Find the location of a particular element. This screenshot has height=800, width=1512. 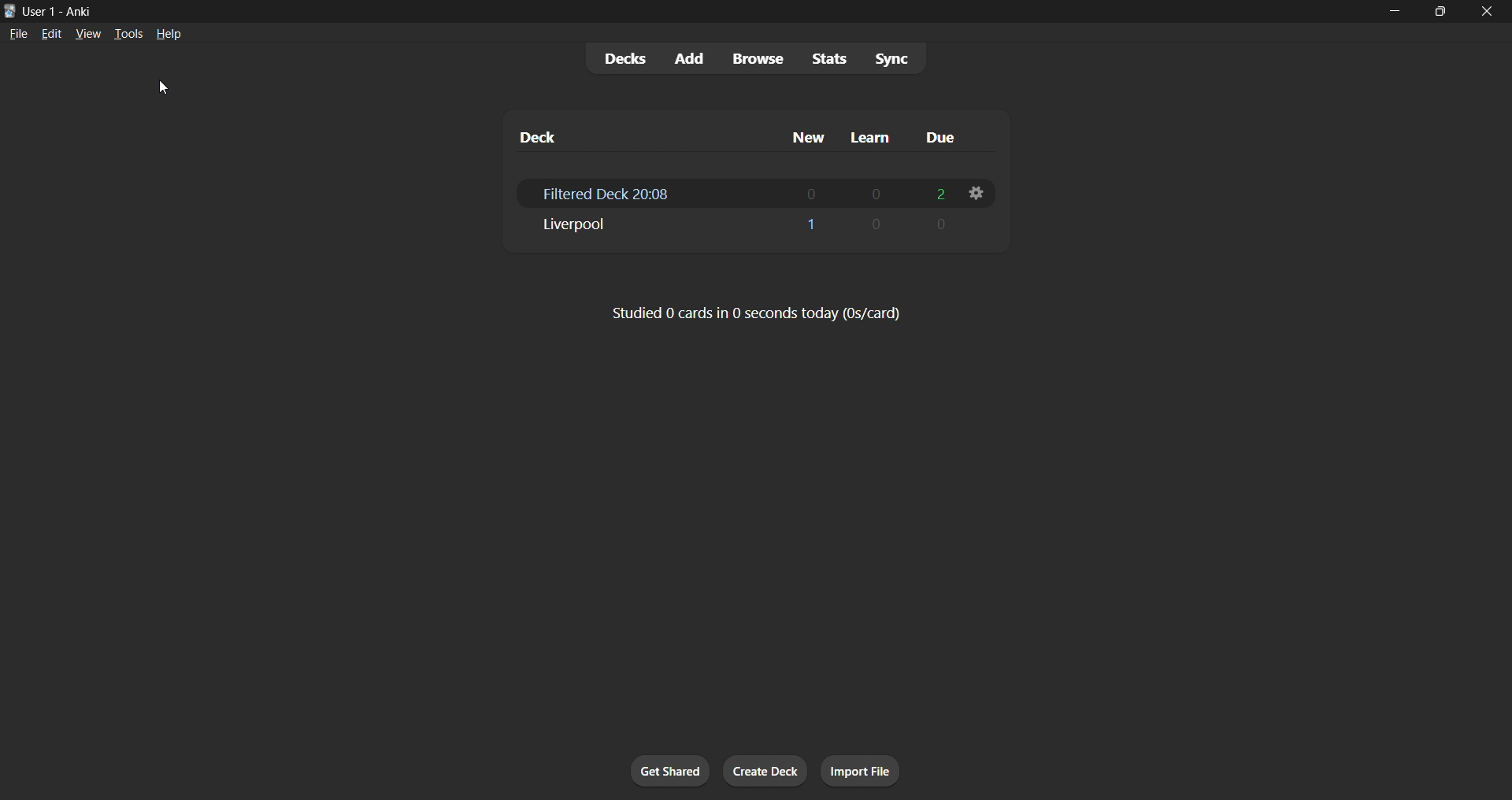

Anki is located at coordinates (9, 11).